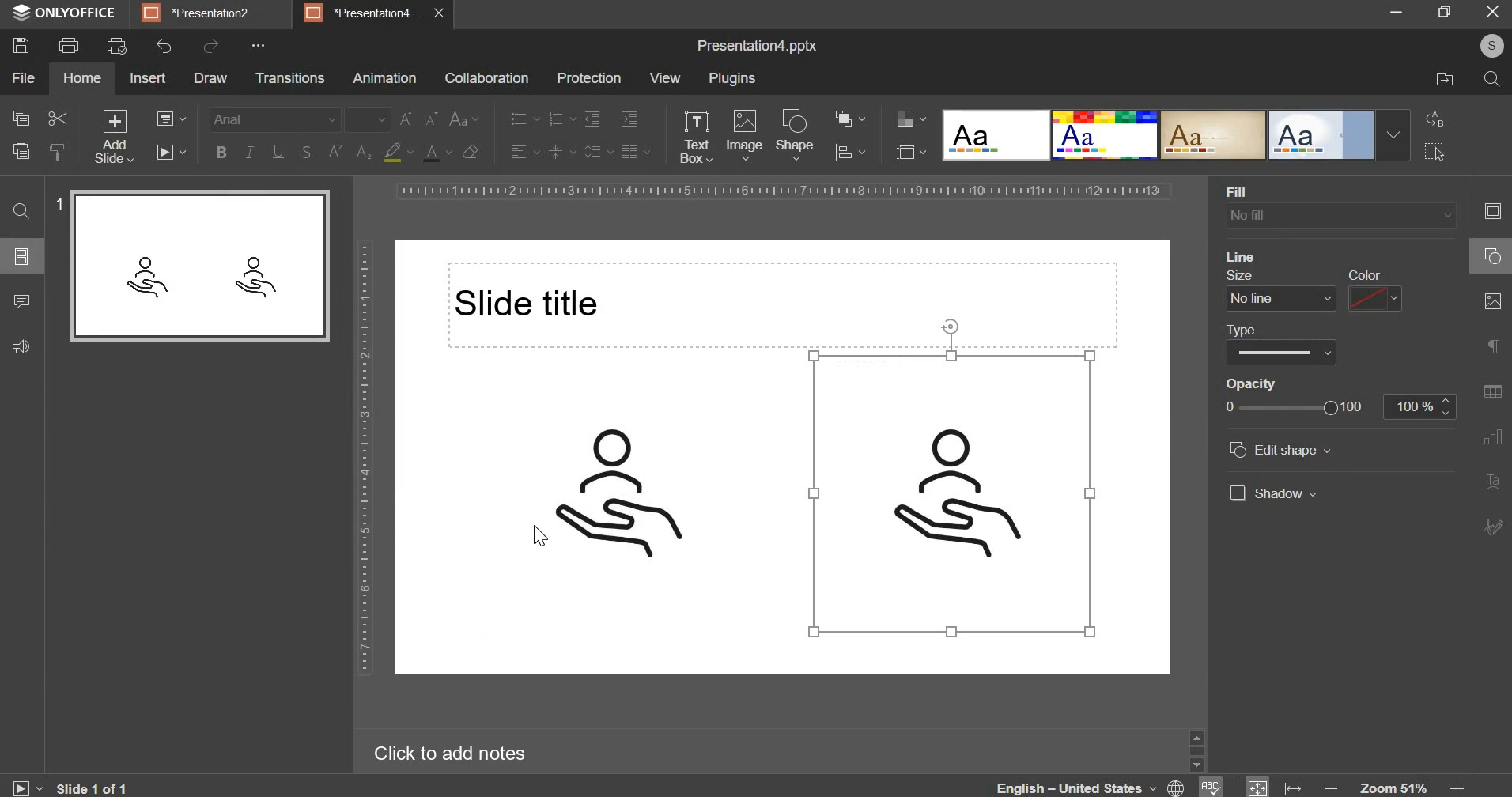 This screenshot has width=1512, height=797. I want to click on horizontal scale, so click(784, 190).